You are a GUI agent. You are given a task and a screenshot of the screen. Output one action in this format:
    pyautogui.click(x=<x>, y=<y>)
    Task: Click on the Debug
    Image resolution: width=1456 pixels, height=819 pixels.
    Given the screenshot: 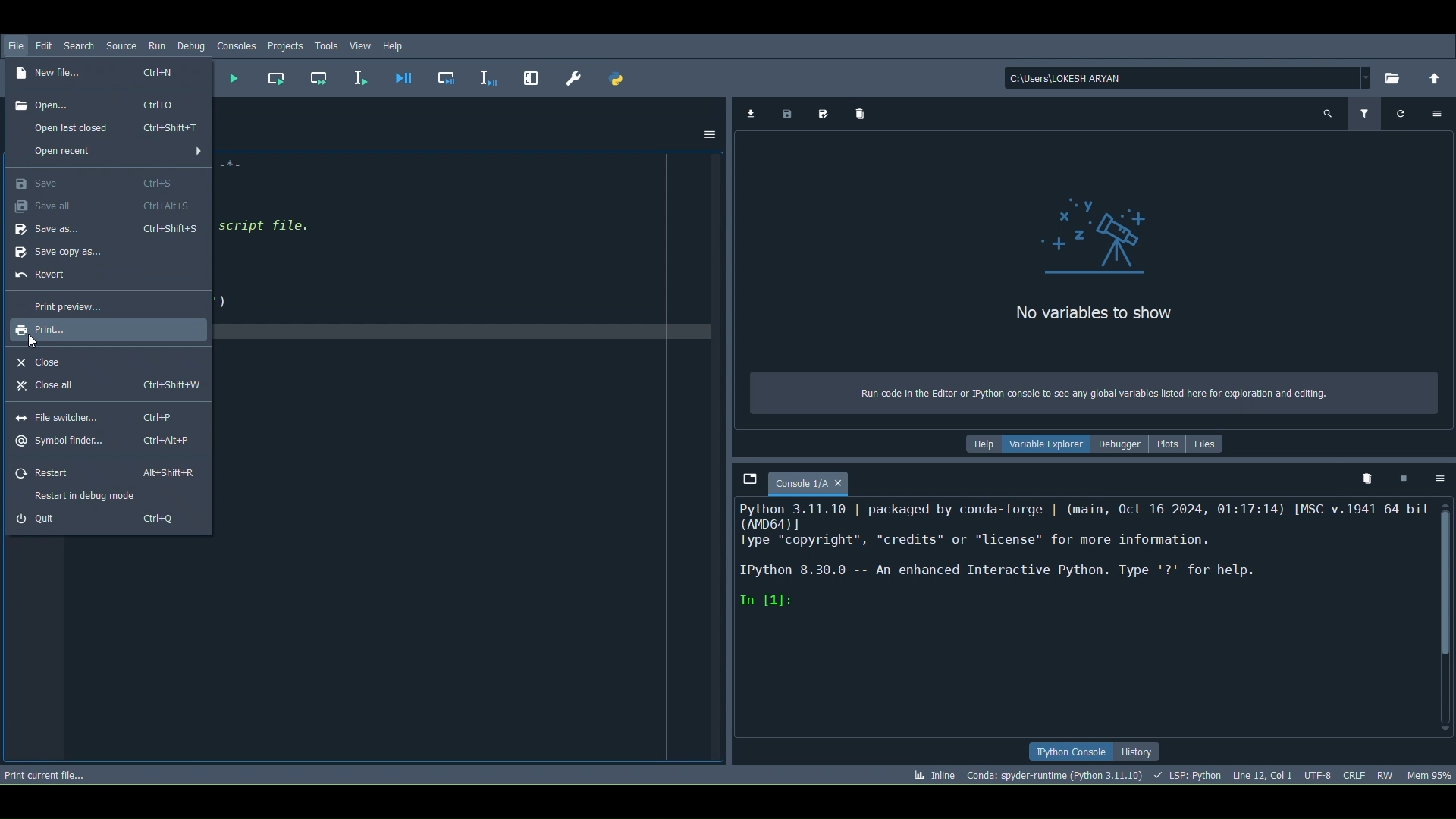 What is the action you would take?
    pyautogui.click(x=190, y=47)
    